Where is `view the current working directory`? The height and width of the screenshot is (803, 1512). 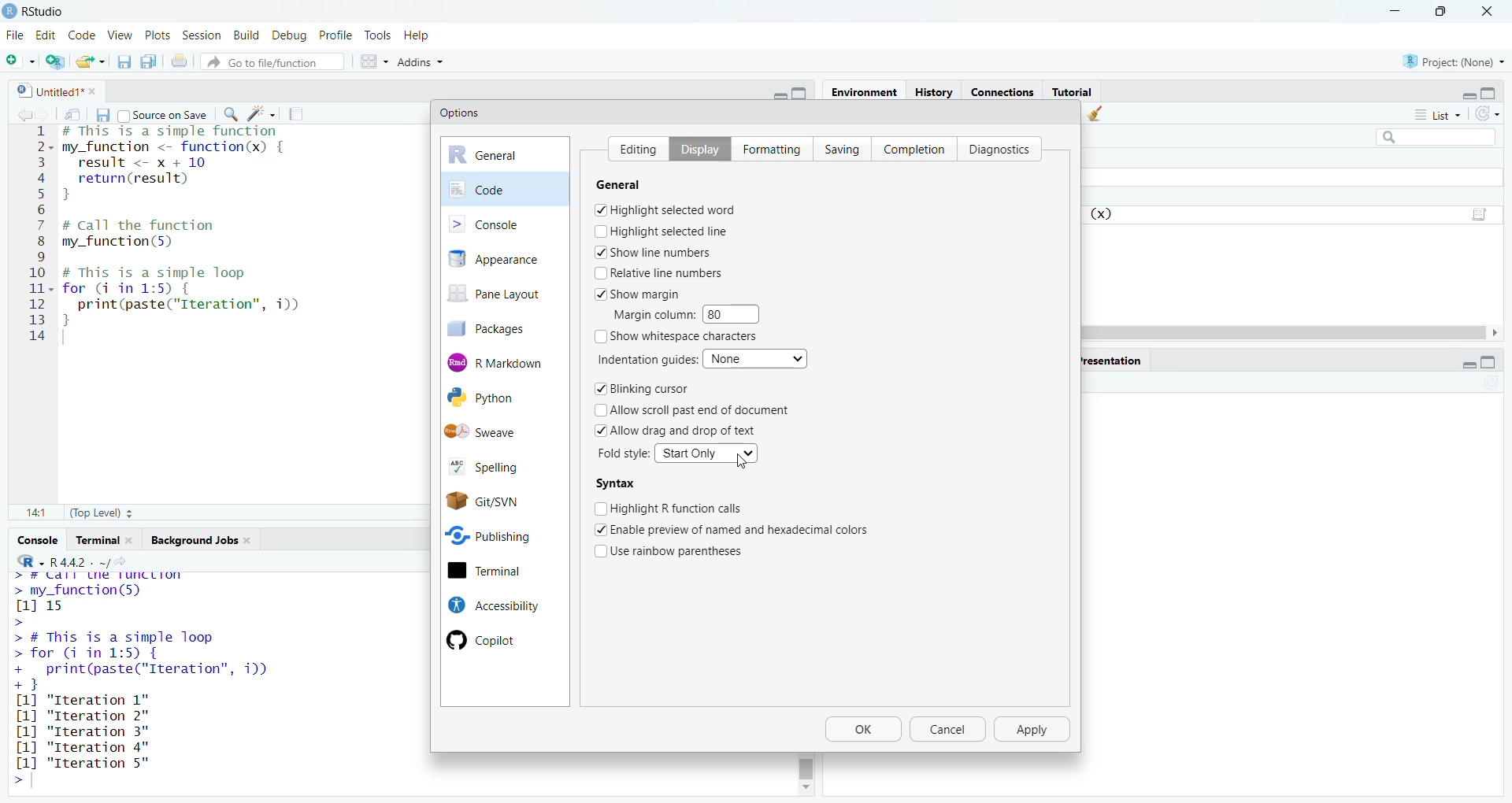 view the current working directory is located at coordinates (128, 561).